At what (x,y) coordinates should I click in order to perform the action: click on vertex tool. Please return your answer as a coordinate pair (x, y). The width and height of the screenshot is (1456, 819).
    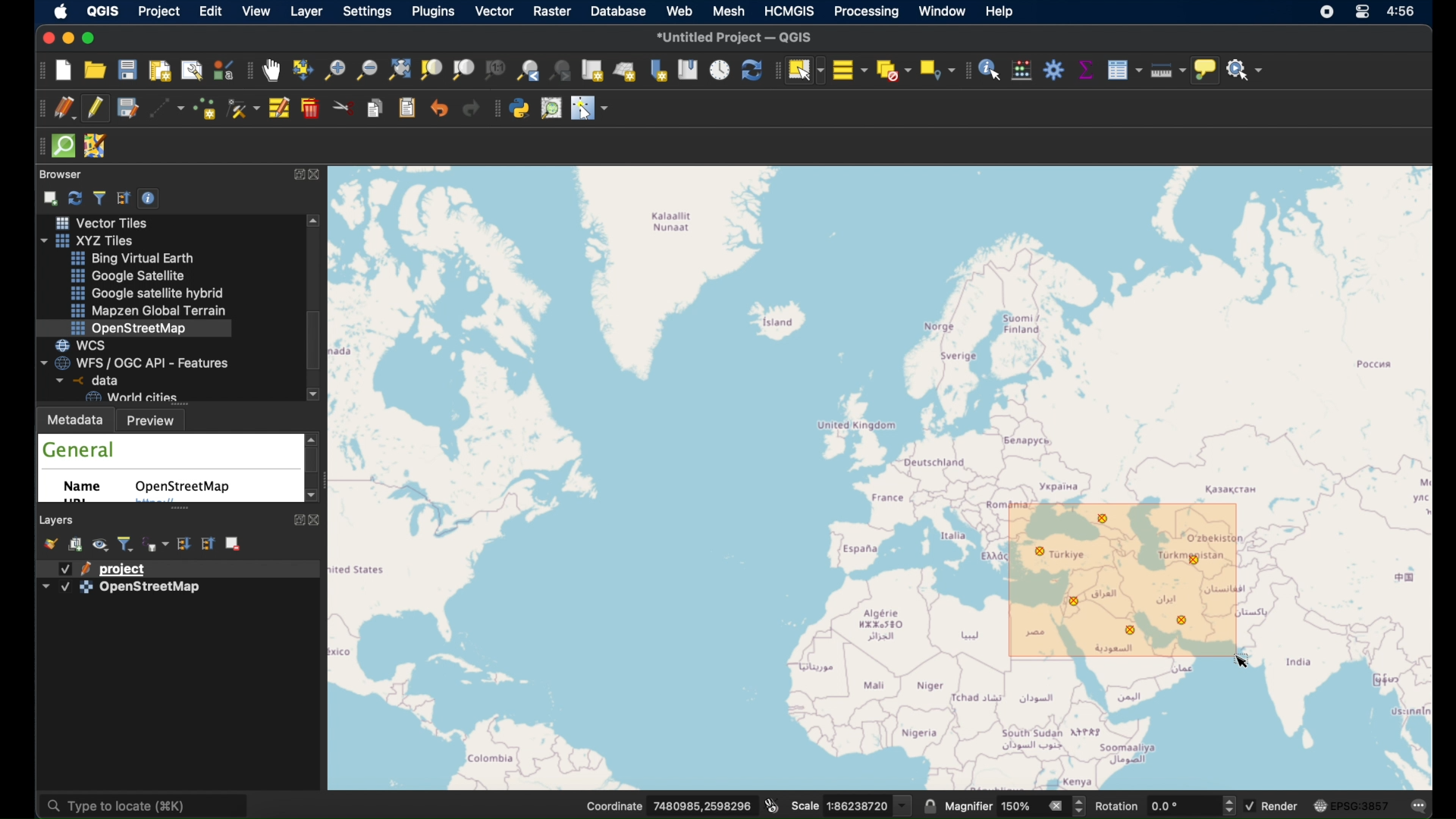
    Looking at the image, I should click on (243, 108).